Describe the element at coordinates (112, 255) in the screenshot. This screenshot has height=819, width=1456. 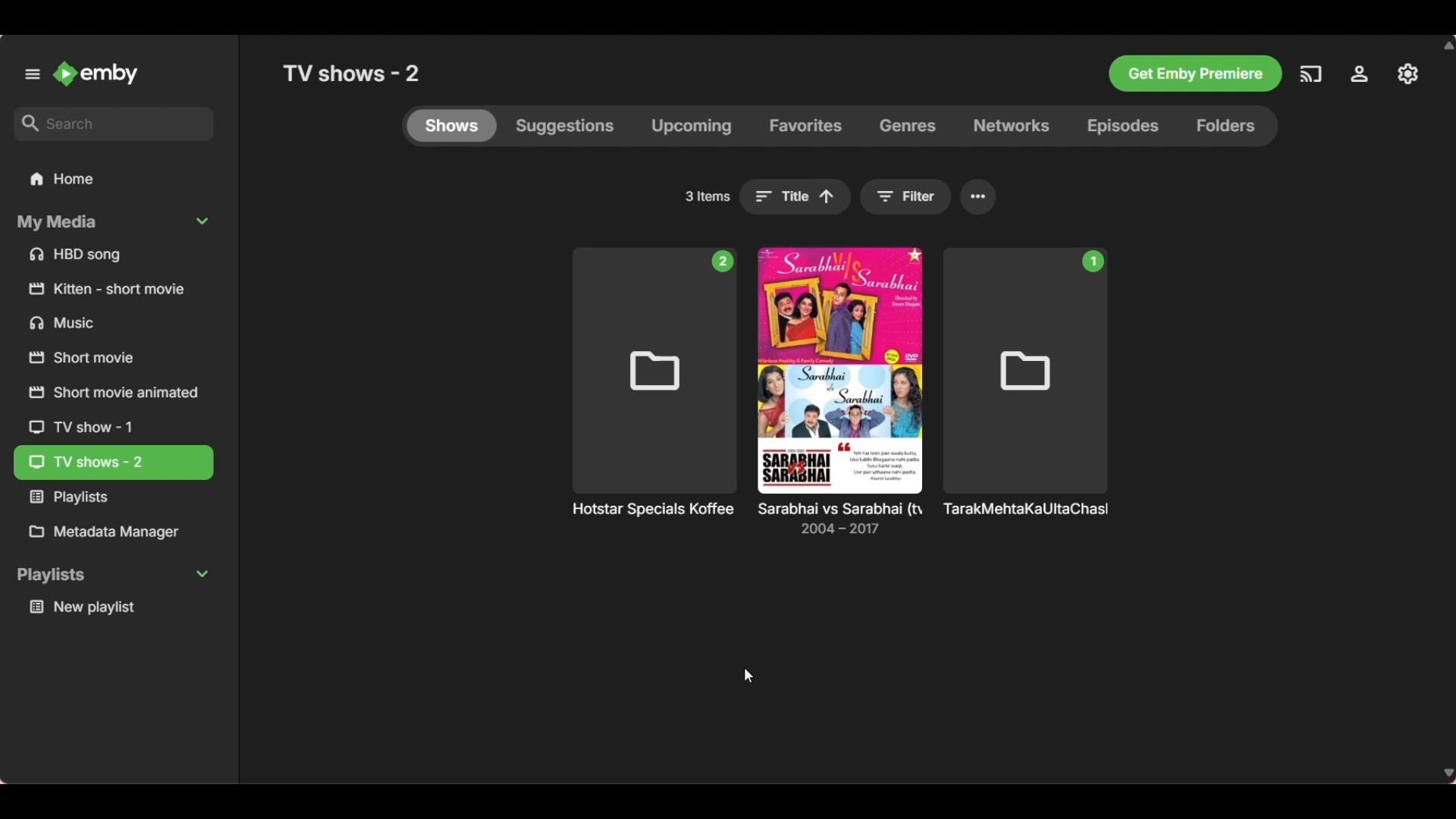
I see `Files under My Media` at that location.